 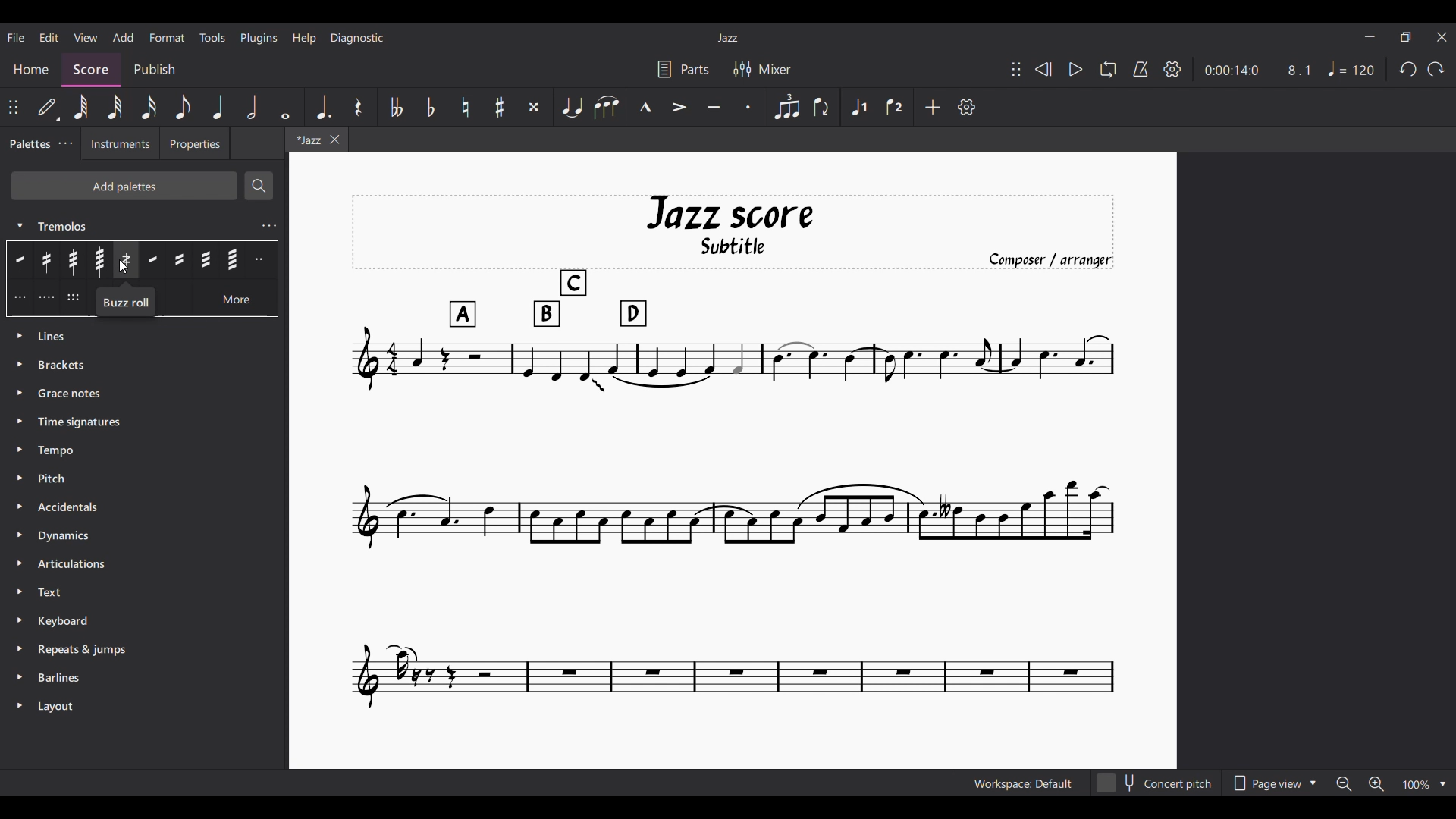 What do you see at coordinates (155, 69) in the screenshot?
I see `Publish` at bounding box center [155, 69].